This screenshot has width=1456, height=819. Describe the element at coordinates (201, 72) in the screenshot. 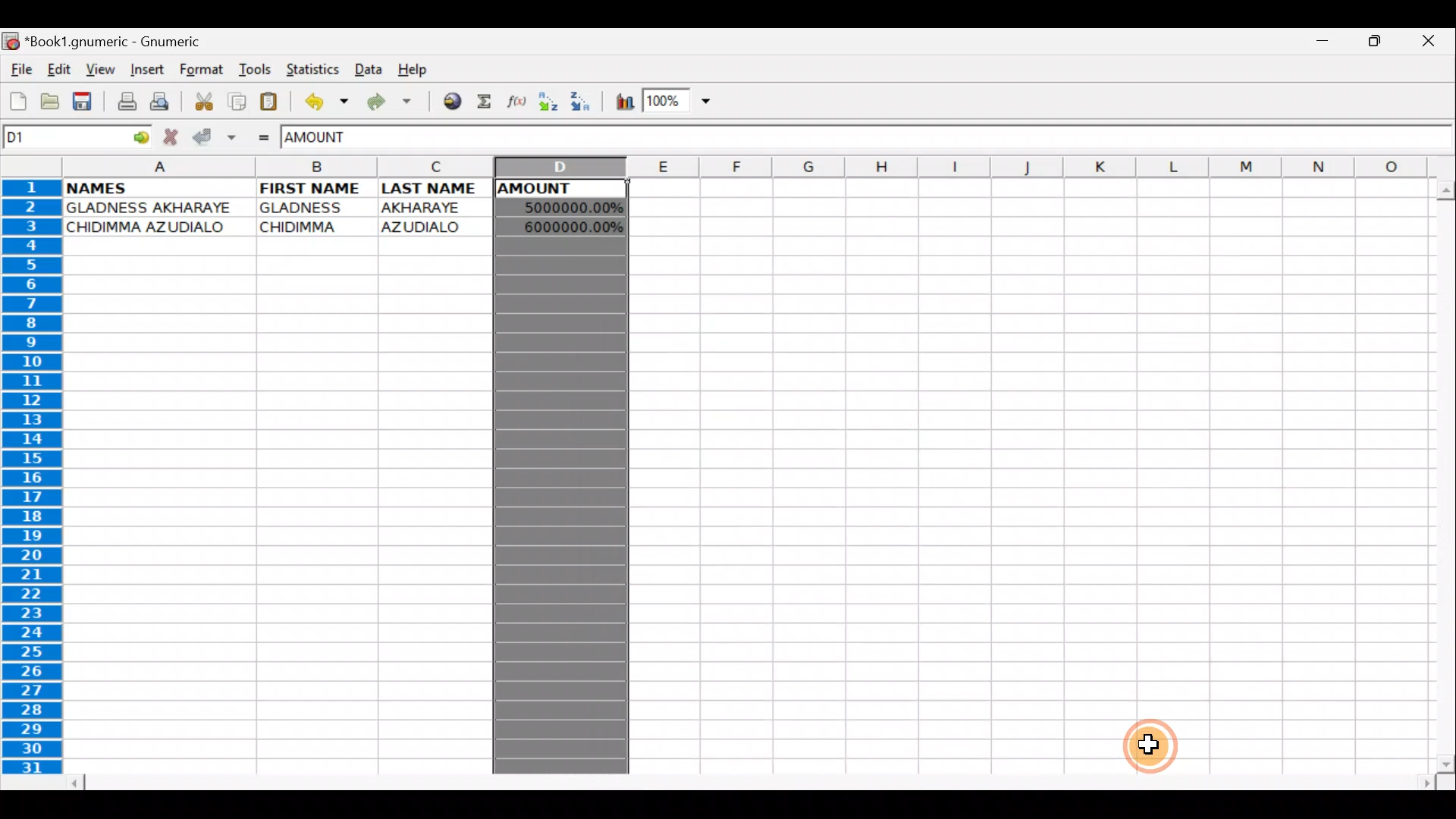

I see `Format` at that location.